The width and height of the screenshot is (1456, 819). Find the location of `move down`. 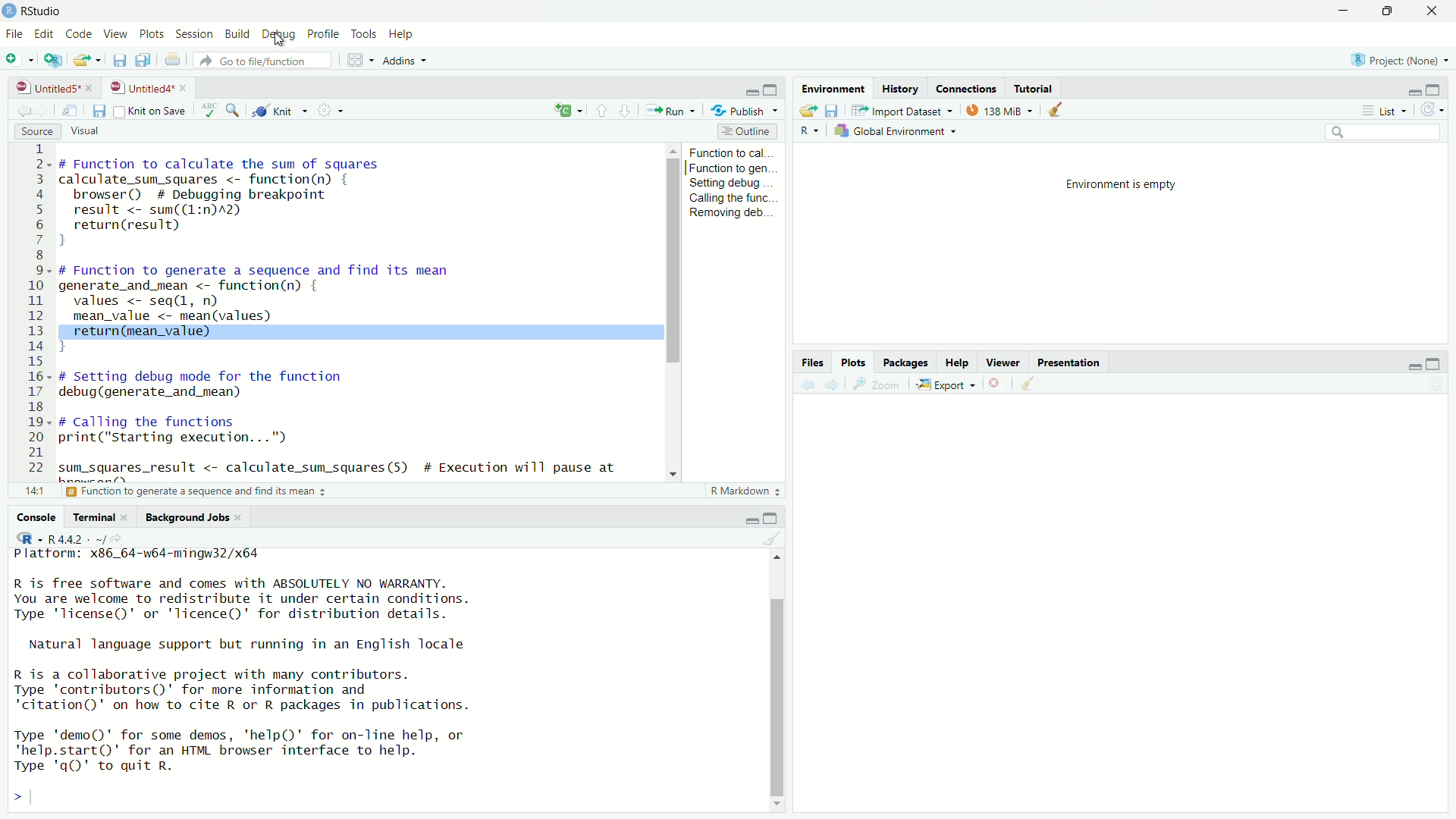

move down is located at coordinates (778, 805).